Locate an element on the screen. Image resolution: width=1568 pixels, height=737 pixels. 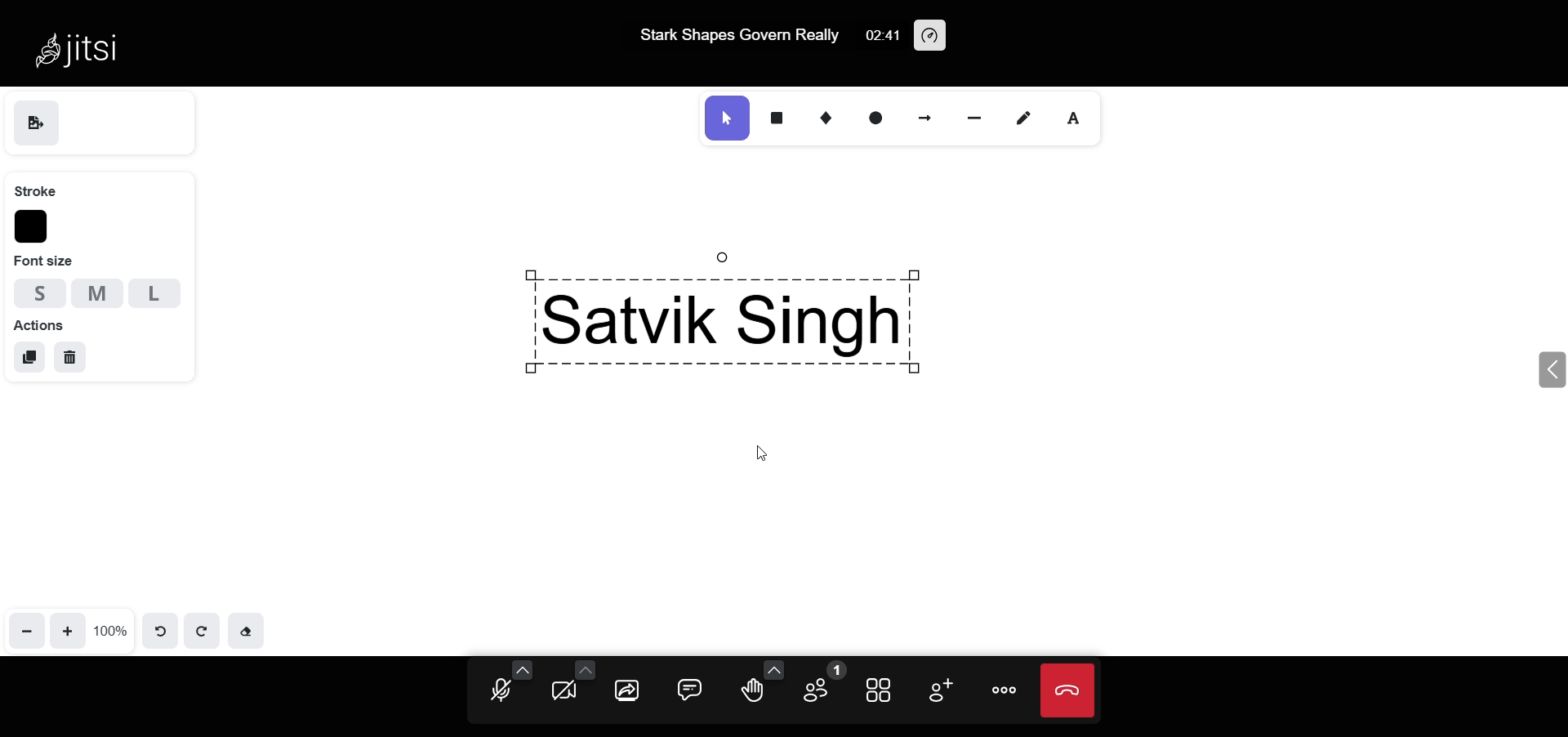
Jitsi is located at coordinates (82, 42).